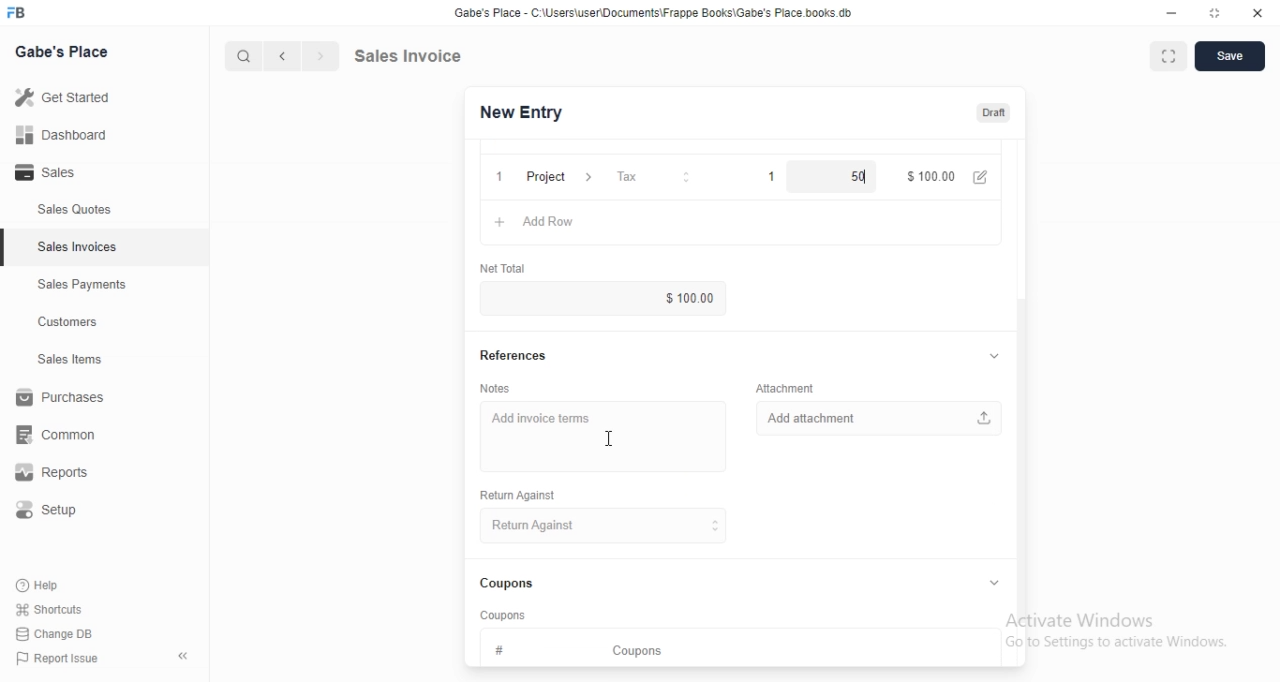  What do you see at coordinates (879, 420) in the screenshot?
I see `Add attachment` at bounding box center [879, 420].